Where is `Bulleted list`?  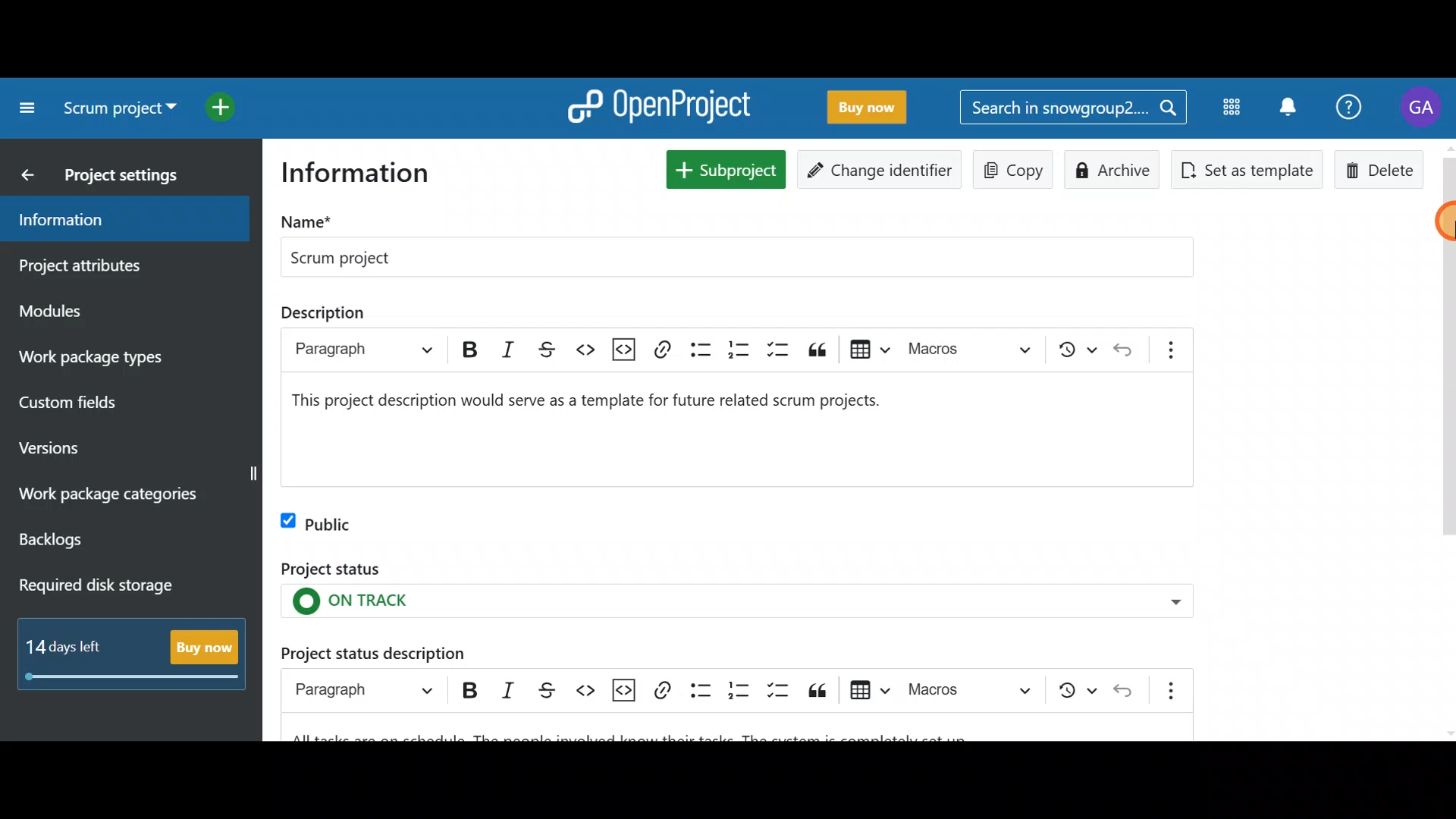 Bulleted list is located at coordinates (700, 689).